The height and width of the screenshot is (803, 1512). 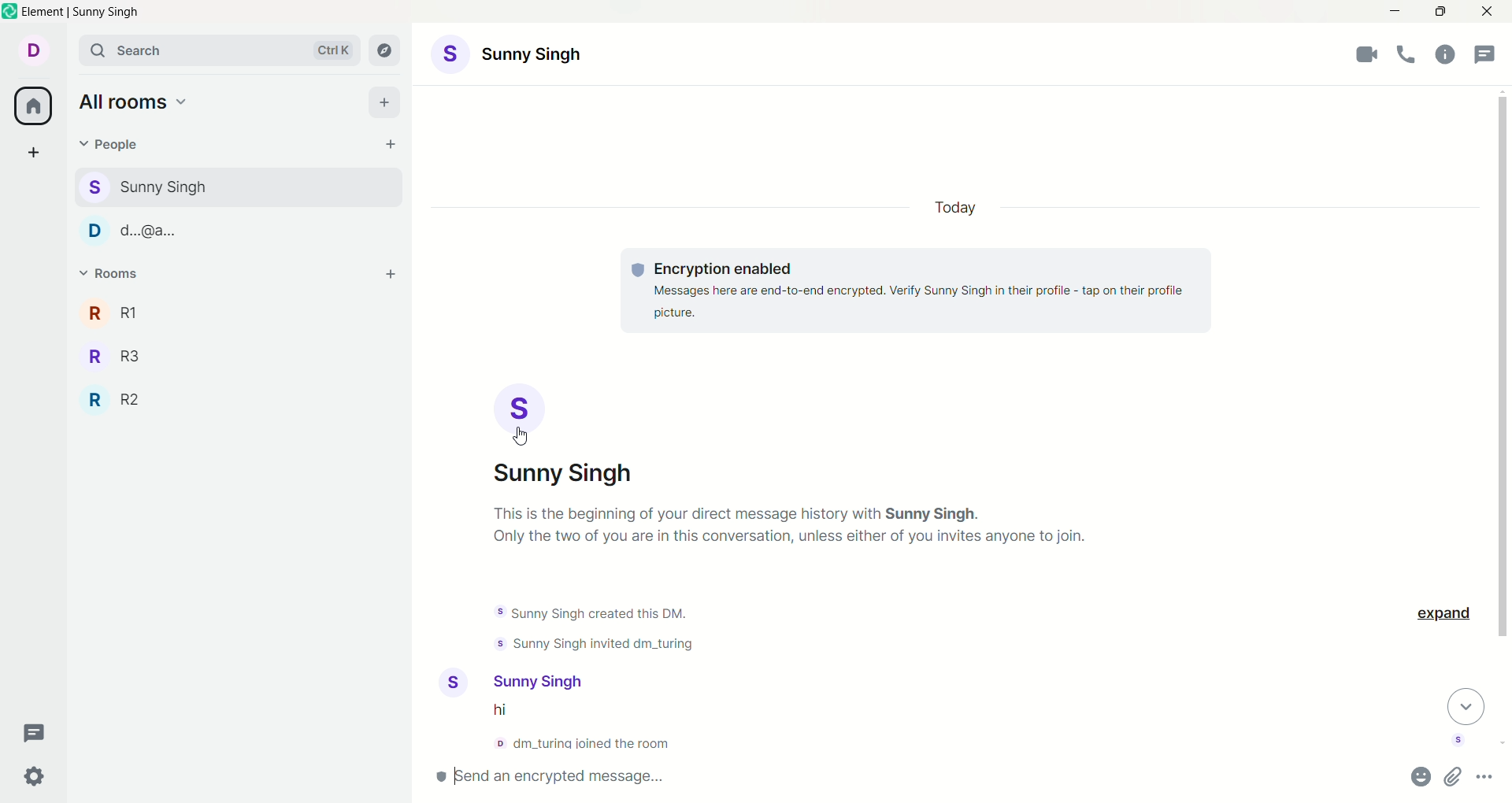 What do you see at coordinates (32, 50) in the screenshot?
I see `account` at bounding box center [32, 50].